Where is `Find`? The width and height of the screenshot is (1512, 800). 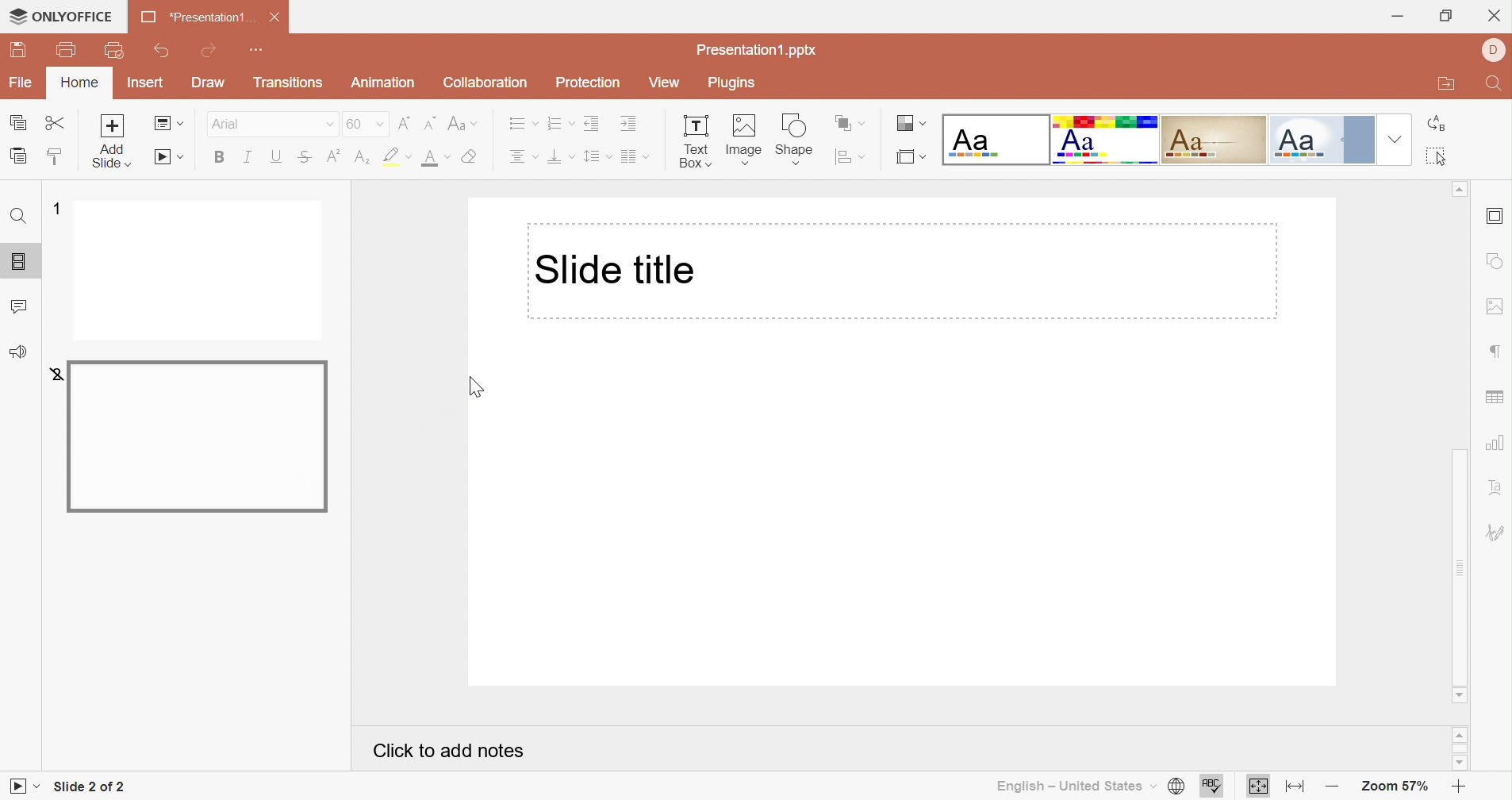 Find is located at coordinates (1495, 85).